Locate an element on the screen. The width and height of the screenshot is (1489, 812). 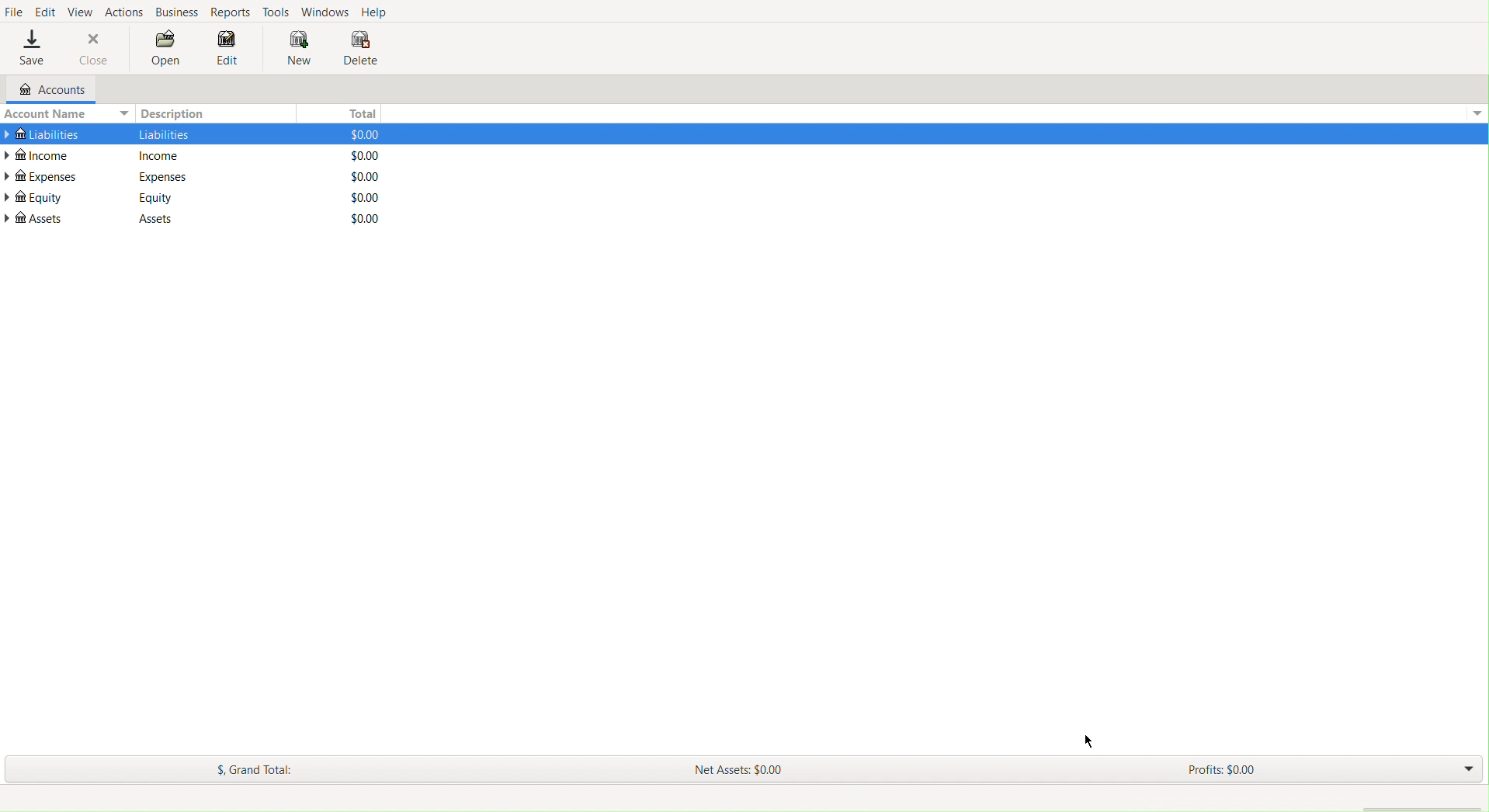
$0.00 is located at coordinates (358, 218).